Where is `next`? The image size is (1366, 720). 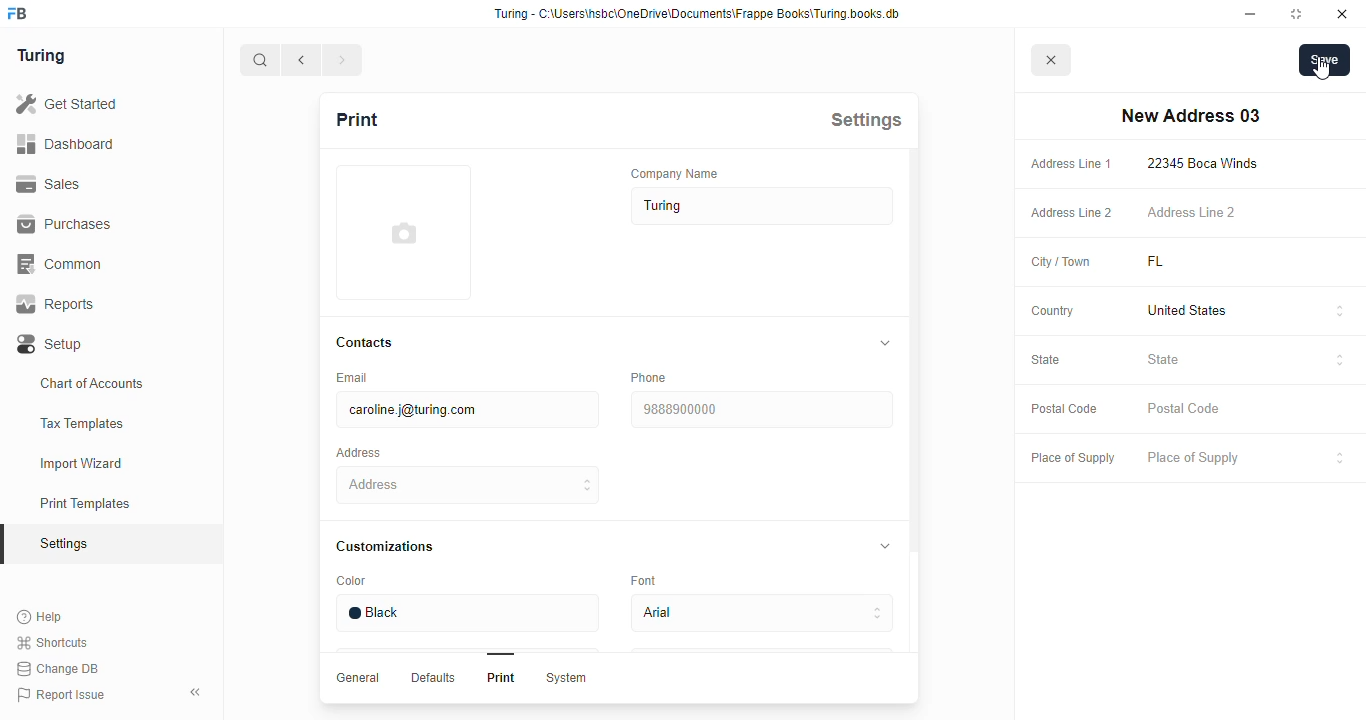
next is located at coordinates (344, 60).